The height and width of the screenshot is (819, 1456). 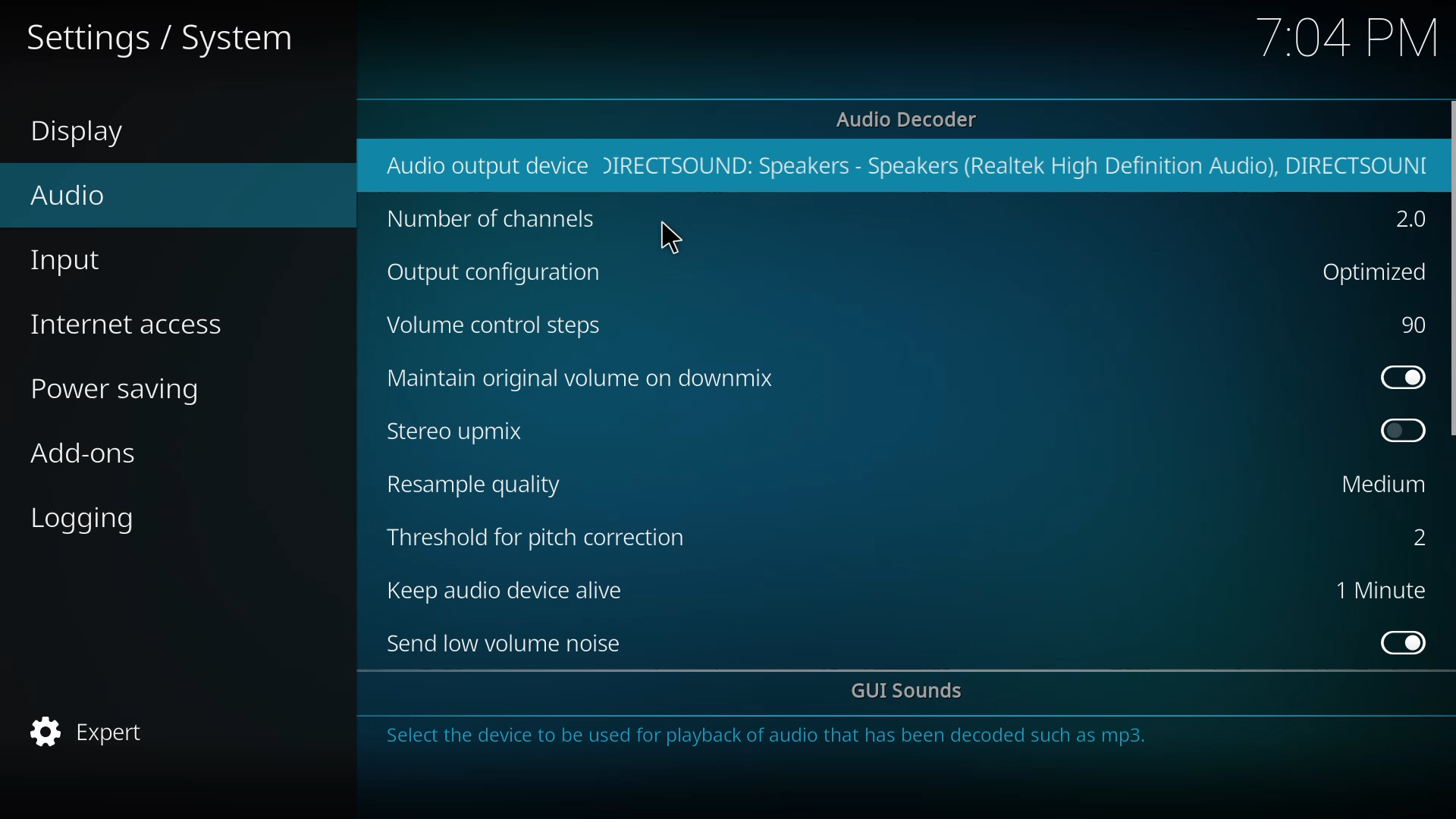 What do you see at coordinates (1370, 270) in the screenshot?
I see `optimized` at bounding box center [1370, 270].